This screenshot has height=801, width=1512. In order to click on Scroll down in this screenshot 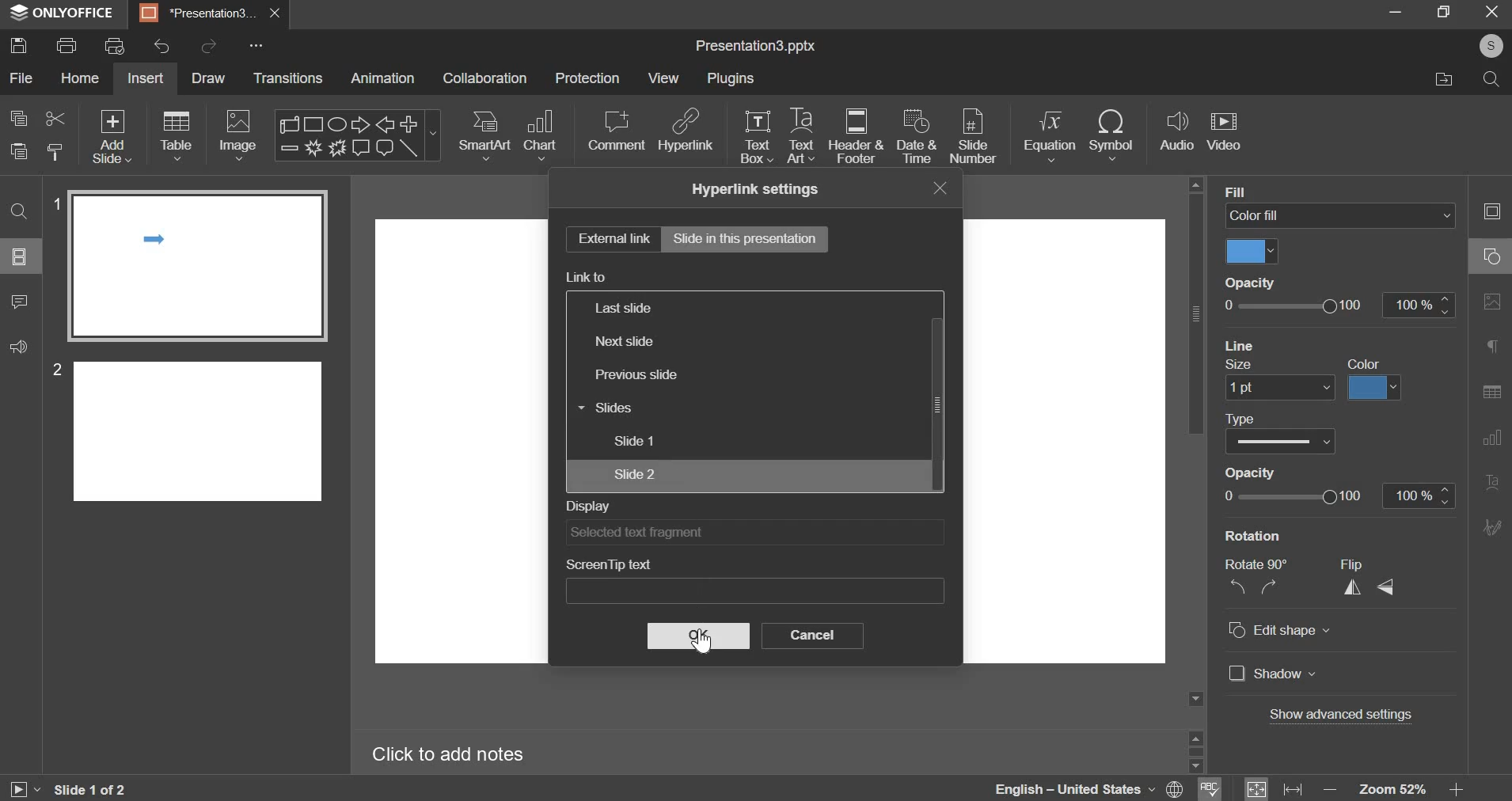, I will do `click(1195, 699)`.